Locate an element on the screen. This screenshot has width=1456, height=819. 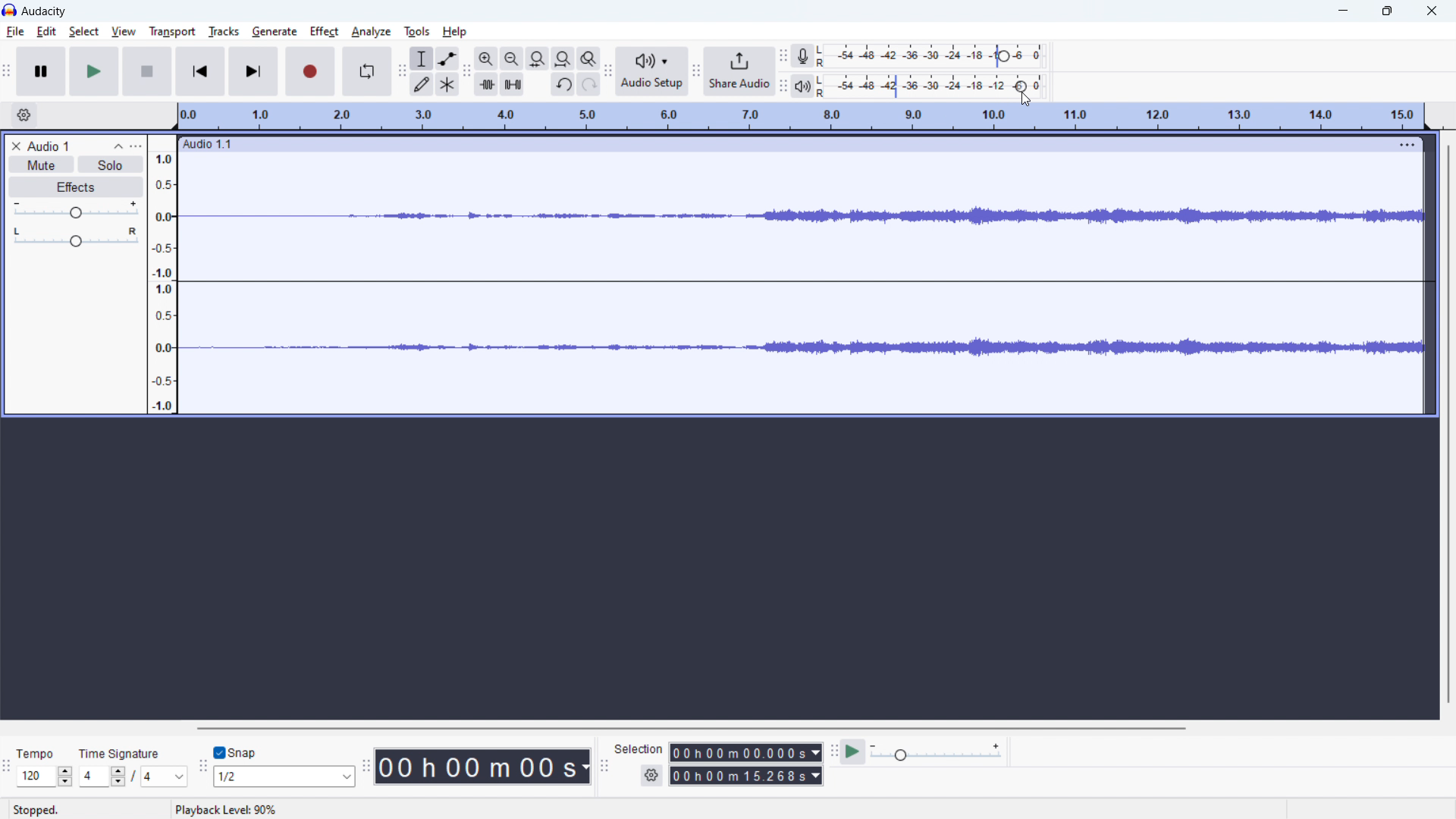
draw tool is located at coordinates (421, 83).